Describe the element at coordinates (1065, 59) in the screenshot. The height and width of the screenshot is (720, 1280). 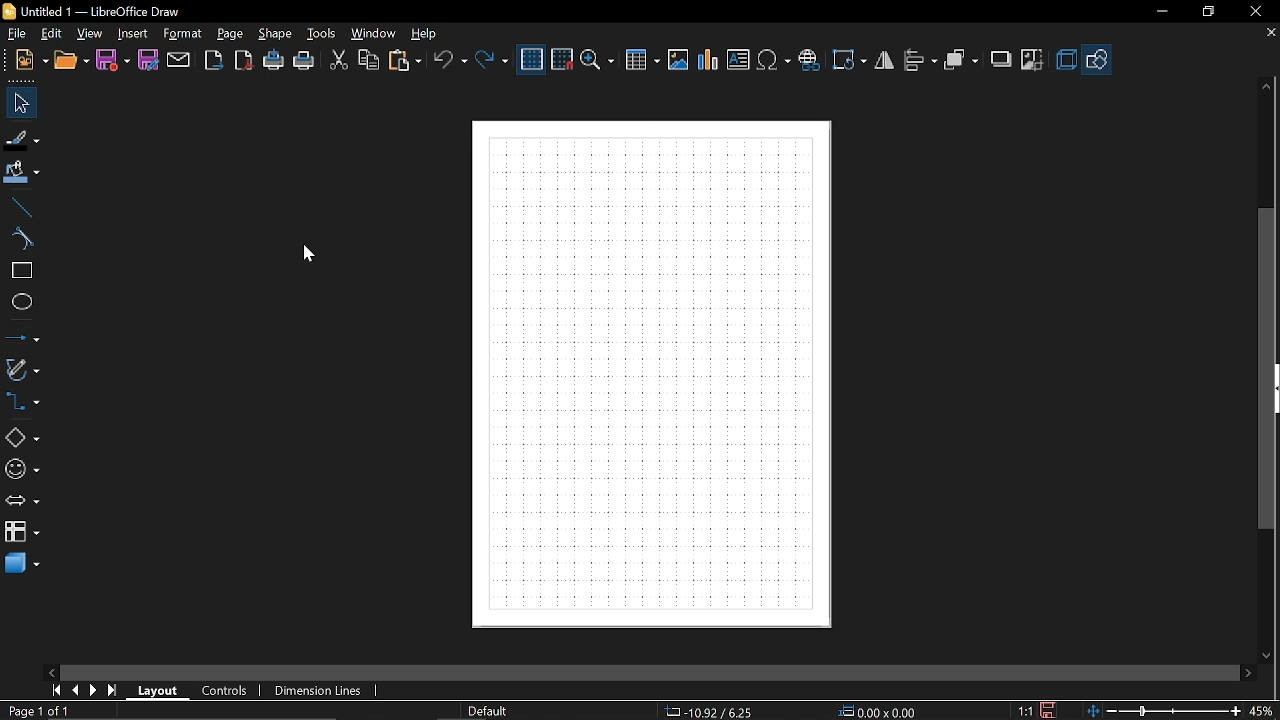
I see `3d effect` at that location.